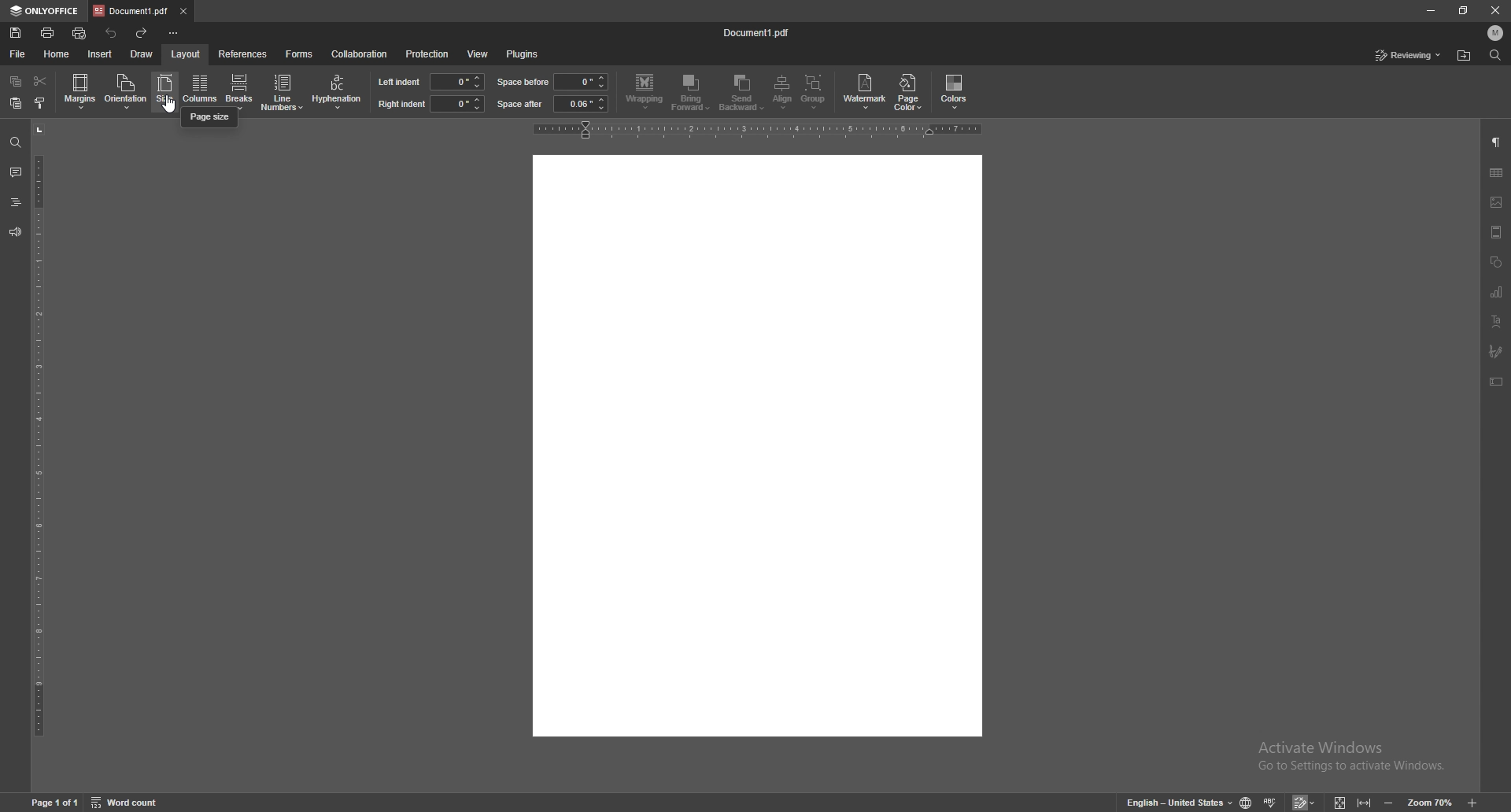 This screenshot has height=812, width=1511. Describe the element at coordinates (17, 103) in the screenshot. I see `paste` at that location.